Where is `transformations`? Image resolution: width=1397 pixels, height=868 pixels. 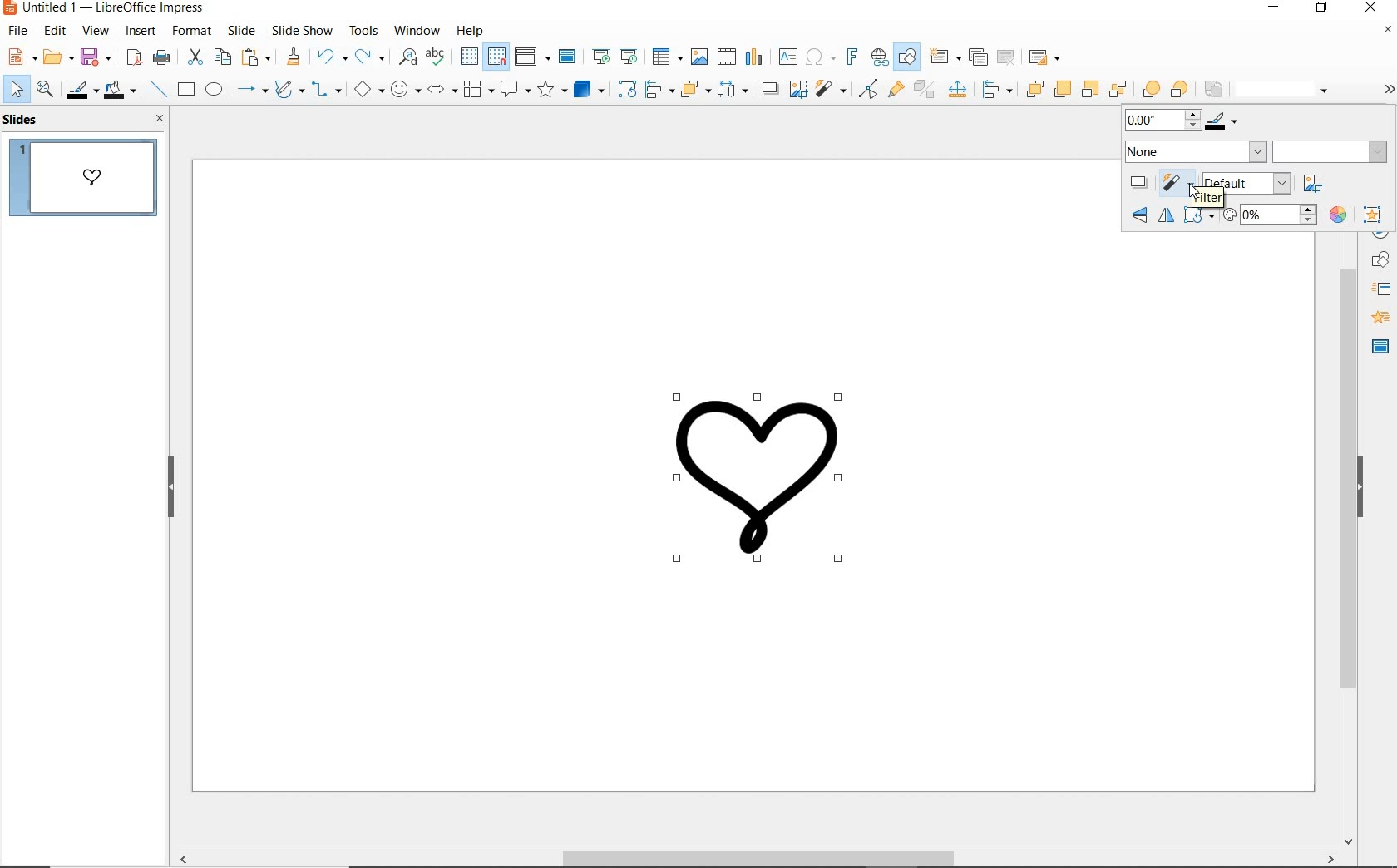 transformations is located at coordinates (1194, 214).